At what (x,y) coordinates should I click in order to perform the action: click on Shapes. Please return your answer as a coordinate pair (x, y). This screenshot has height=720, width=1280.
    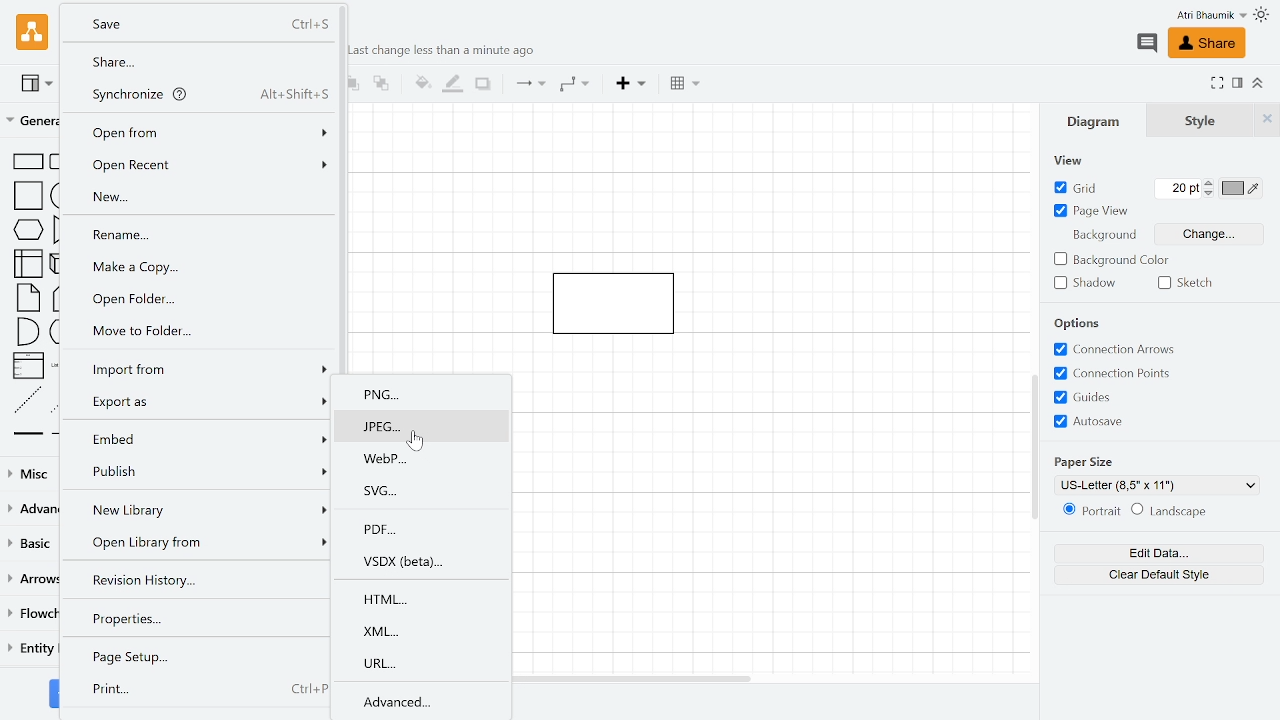
    Looking at the image, I should click on (30, 295).